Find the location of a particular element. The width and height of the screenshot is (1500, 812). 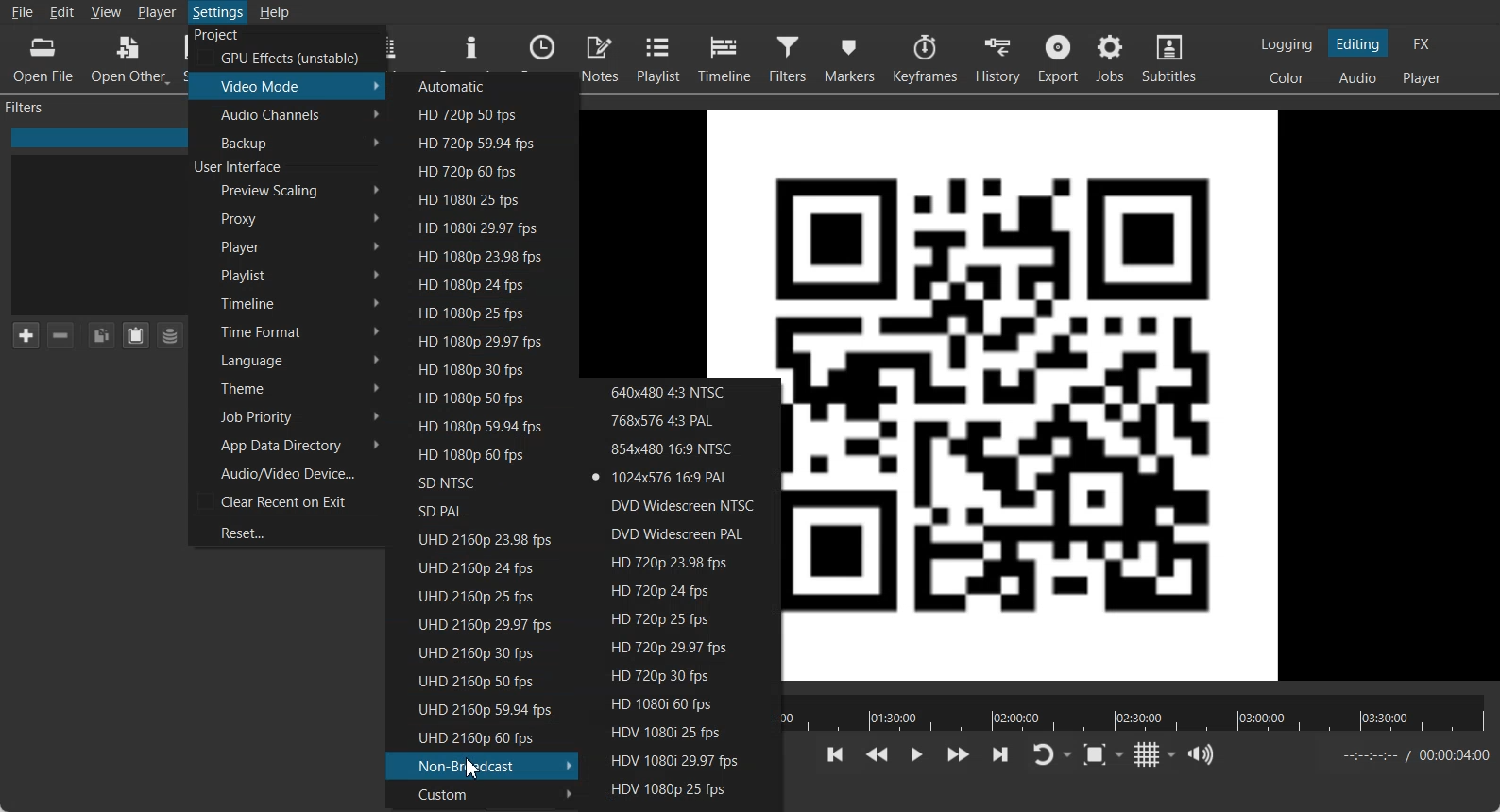

HD 1080p 30 fps is located at coordinates (478, 367).